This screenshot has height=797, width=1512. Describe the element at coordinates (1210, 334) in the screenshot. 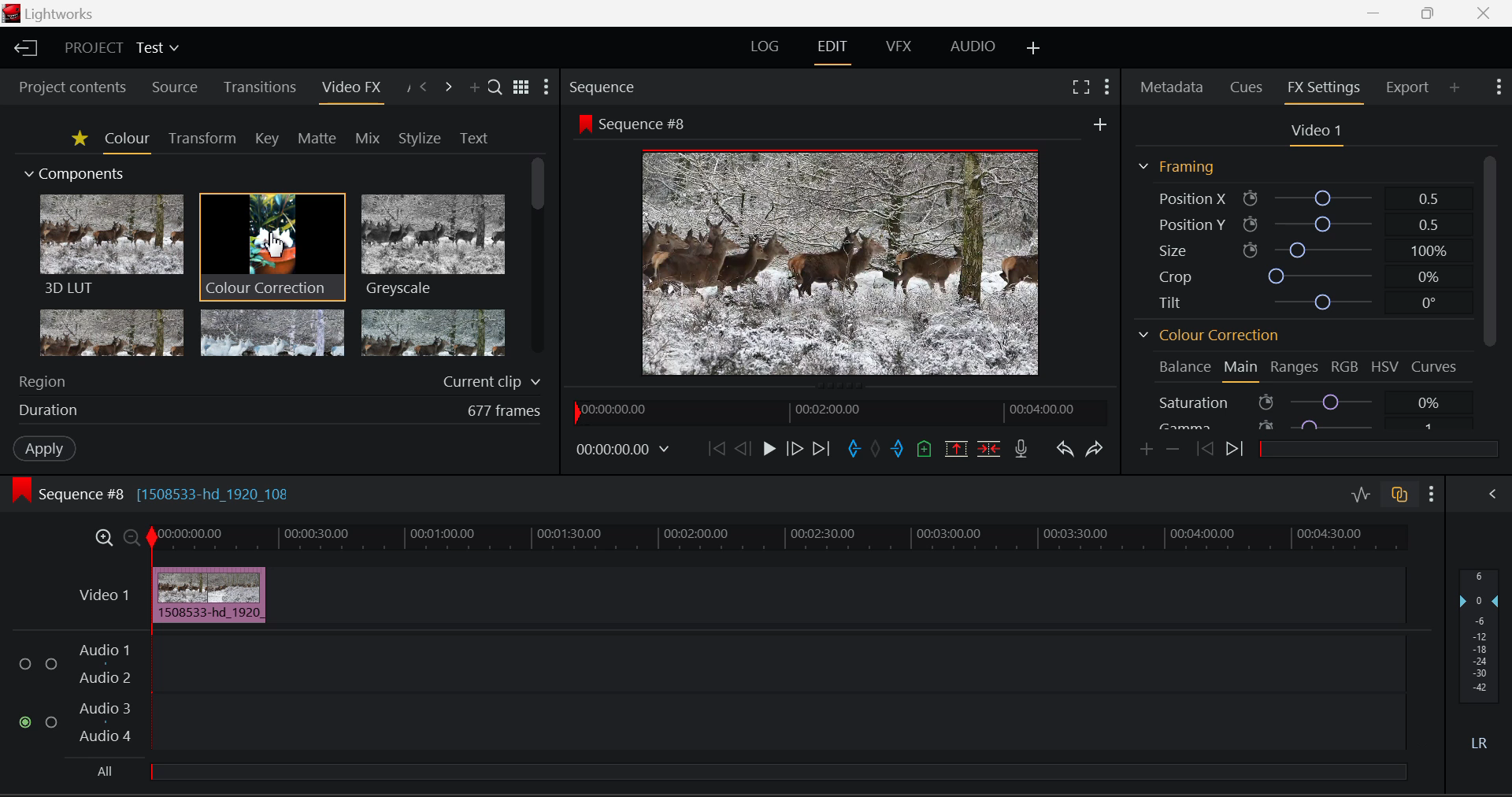

I see `Colour Correction` at that location.